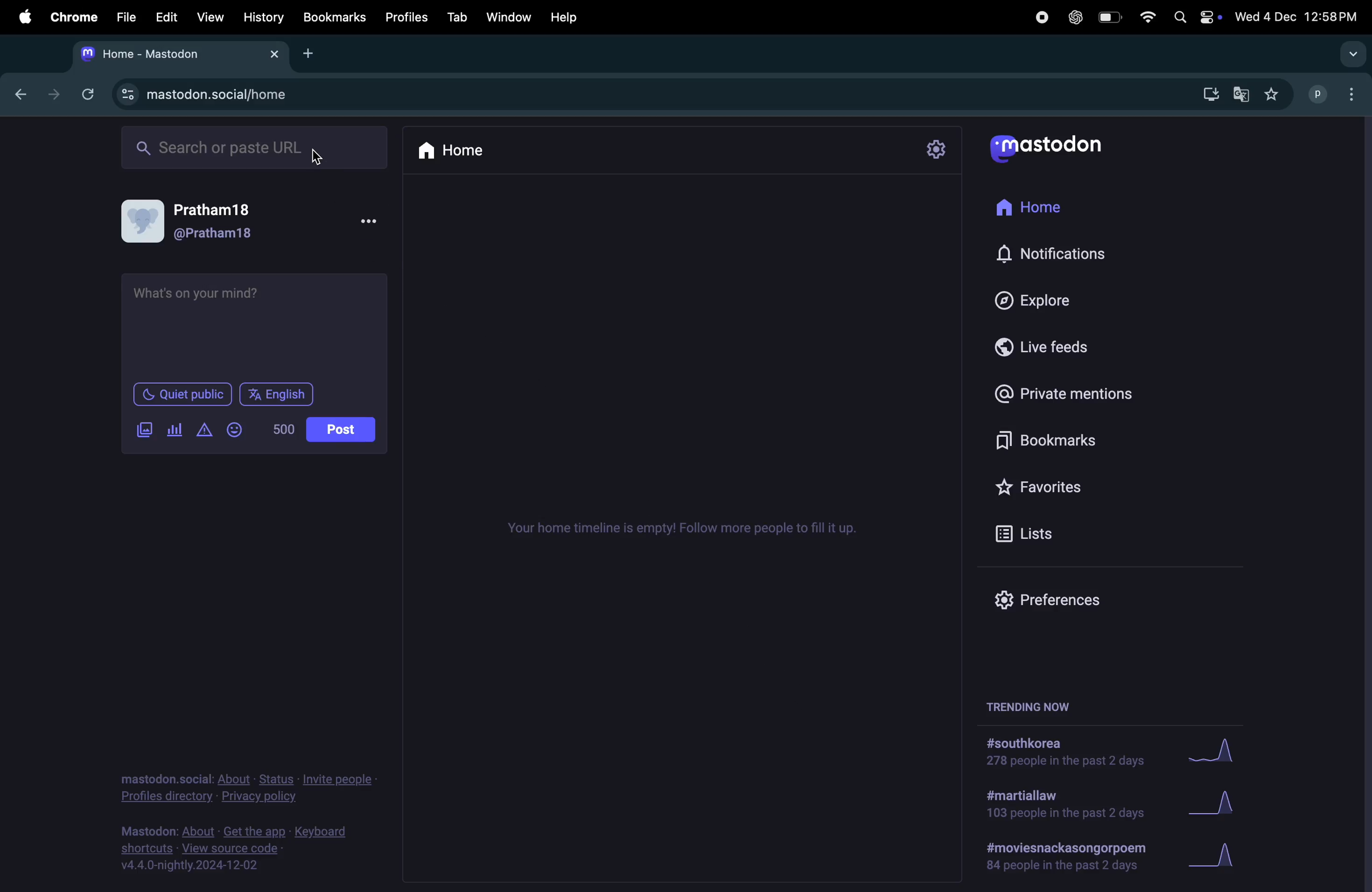  Describe the element at coordinates (168, 14) in the screenshot. I see `Edit` at that location.